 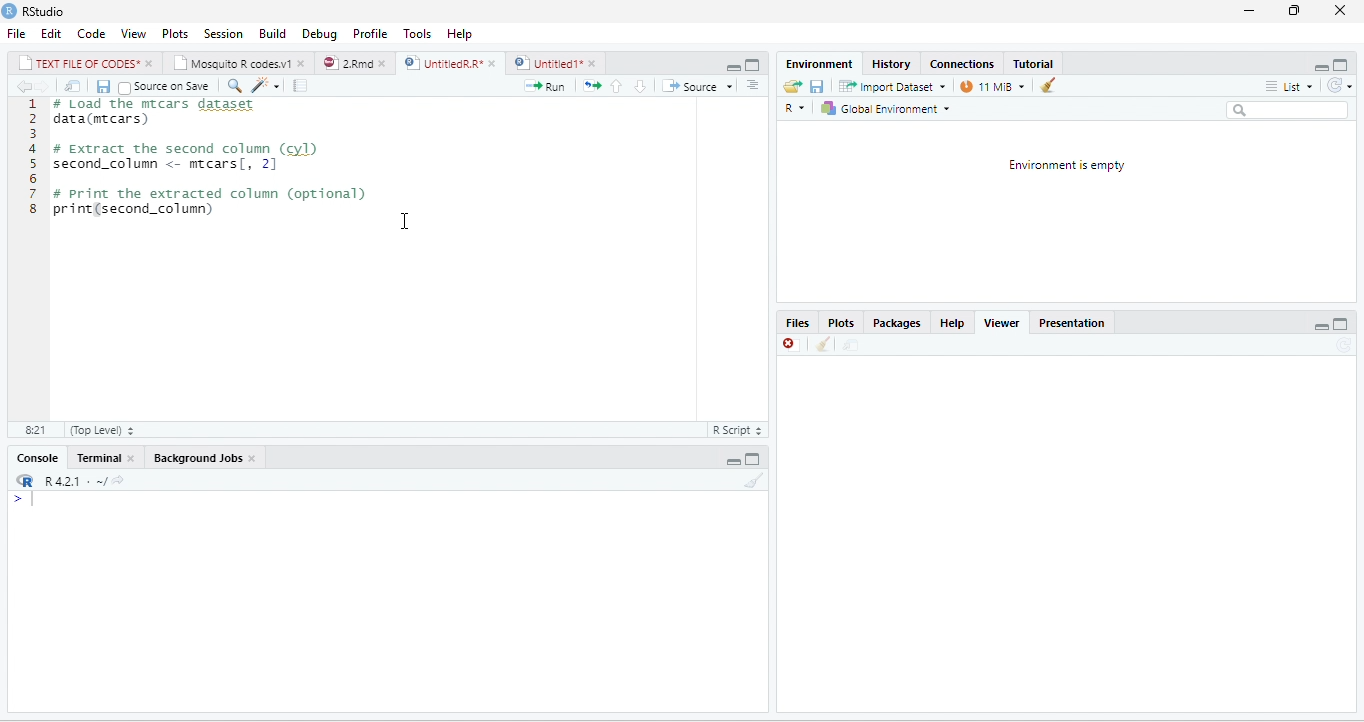 What do you see at coordinates (1250, 13) in the screenshot?
I see `minimize` at bounding box center [1250, 13].